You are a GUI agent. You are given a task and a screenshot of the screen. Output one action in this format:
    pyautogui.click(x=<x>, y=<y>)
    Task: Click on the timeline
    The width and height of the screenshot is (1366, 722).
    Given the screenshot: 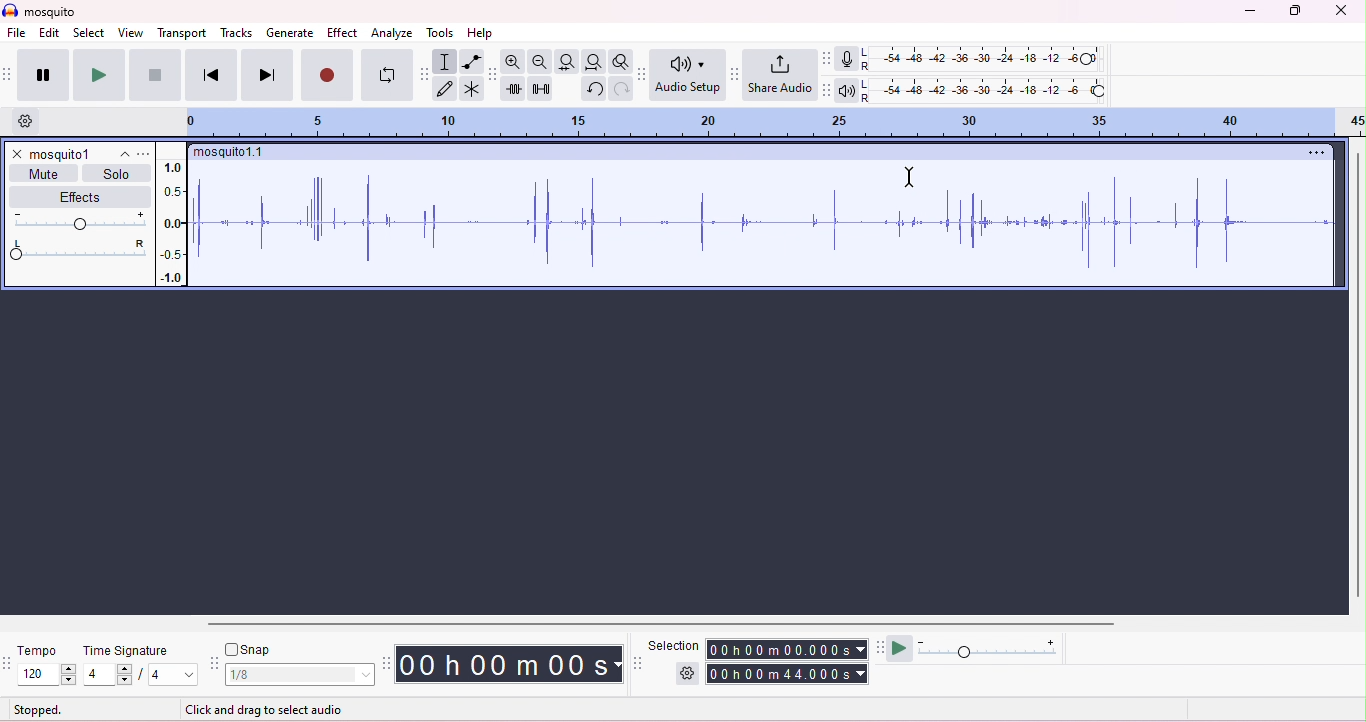 What is the action you would take?
    pyautogui.click(x=779, y=123)
    